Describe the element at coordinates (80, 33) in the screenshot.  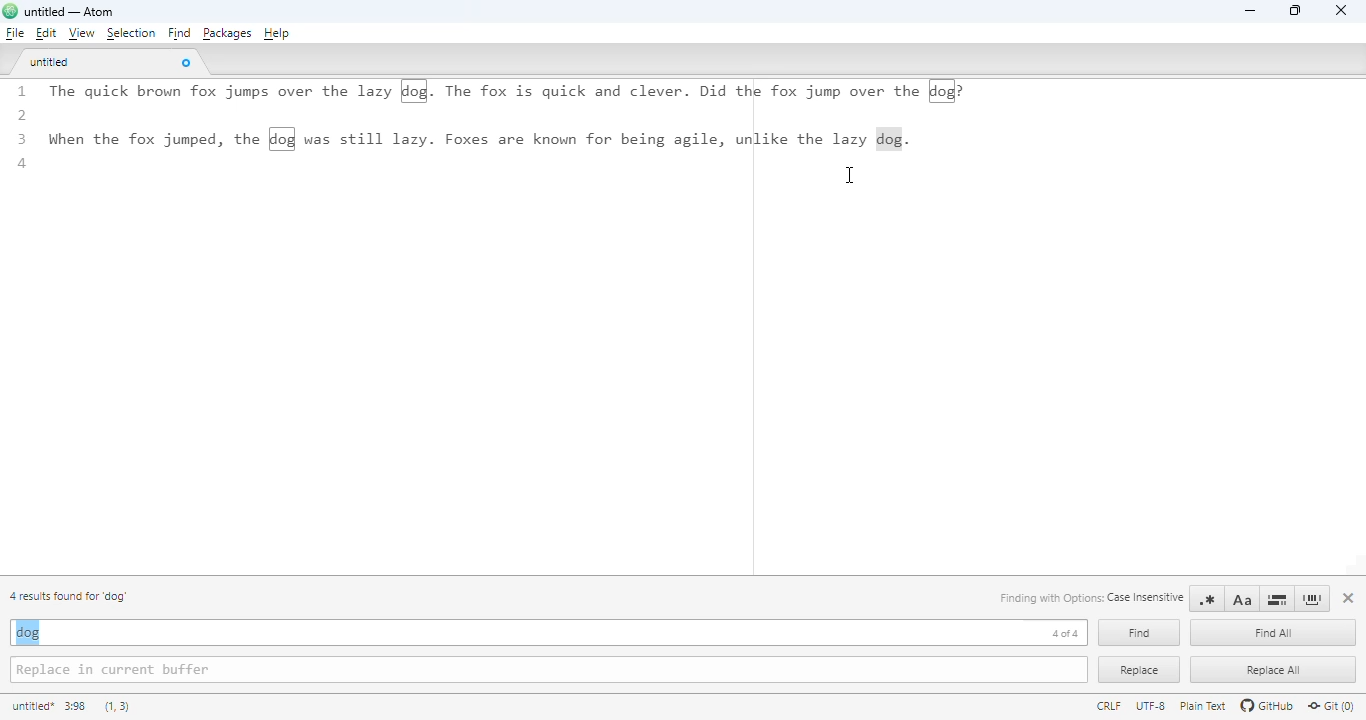
I see `view` at that location.